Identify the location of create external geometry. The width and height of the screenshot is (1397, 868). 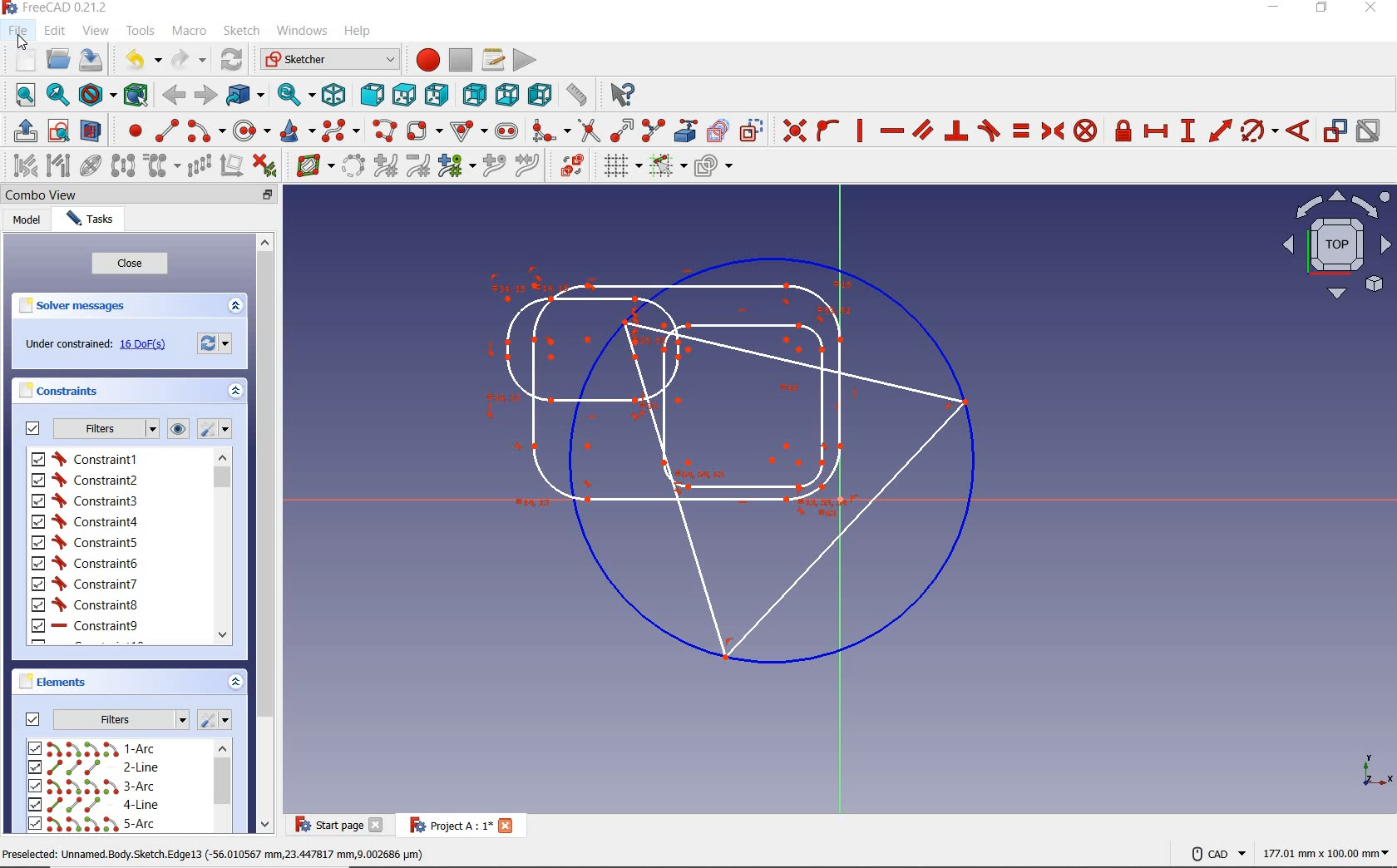
(683, 131).